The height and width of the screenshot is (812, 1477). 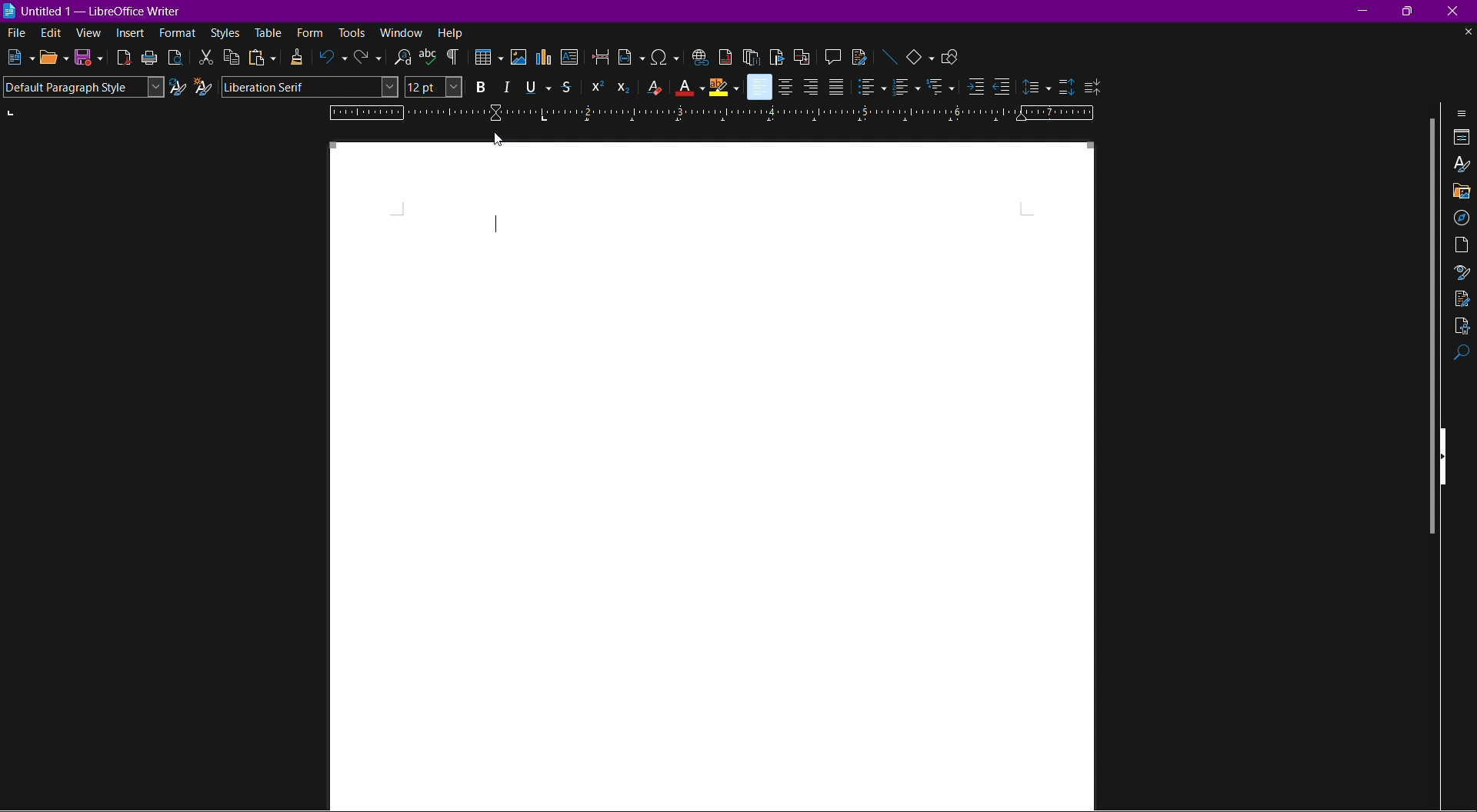 I want to click on Decrease indent, so click(x=1004, y=88).